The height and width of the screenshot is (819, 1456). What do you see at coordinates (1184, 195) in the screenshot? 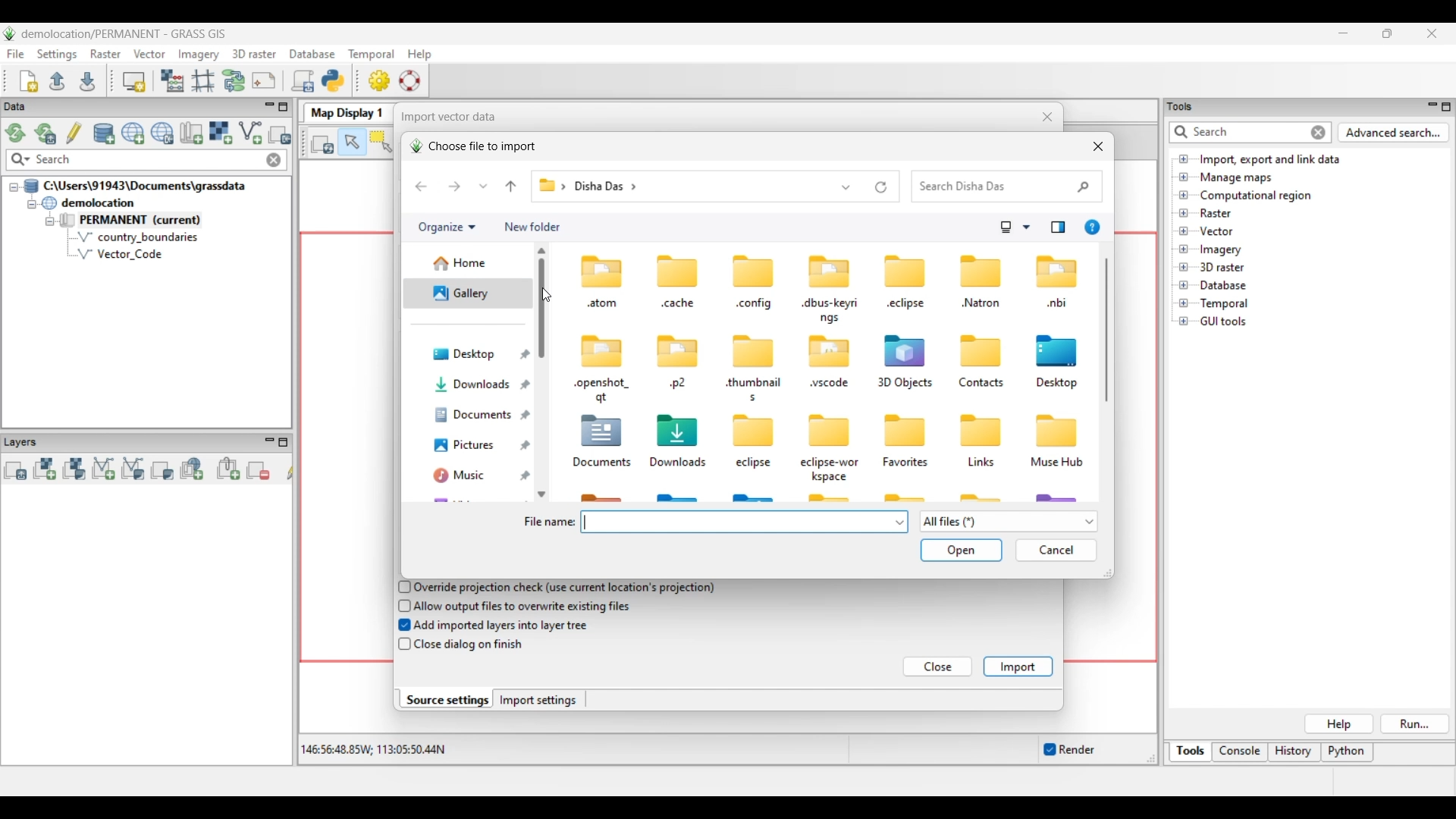
I see `Click to open Computational region` at bounding box center [1184, 195].